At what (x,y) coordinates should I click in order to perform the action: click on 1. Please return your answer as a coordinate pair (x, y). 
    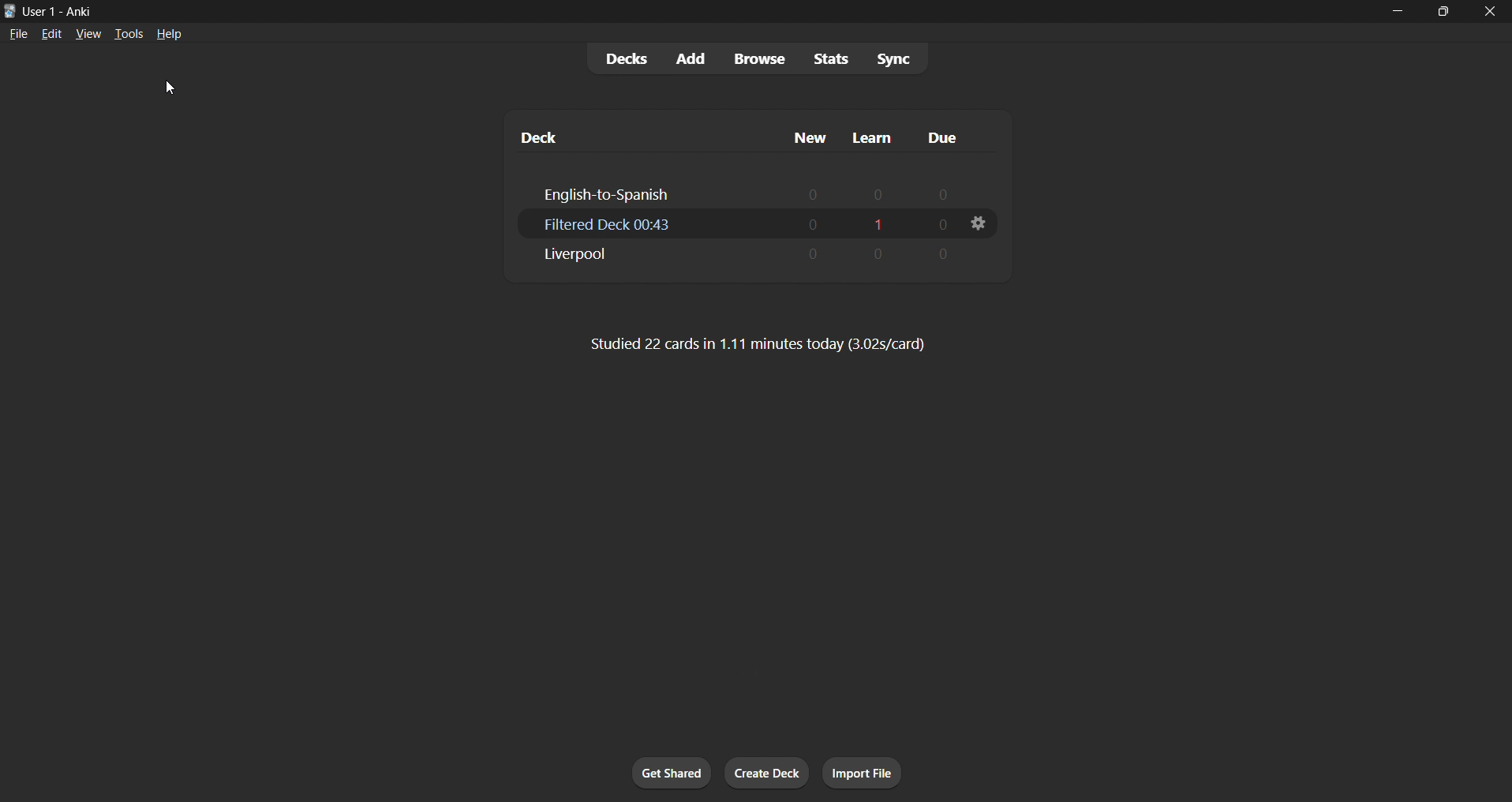
    Looking at the image, I should click on (875, 220).